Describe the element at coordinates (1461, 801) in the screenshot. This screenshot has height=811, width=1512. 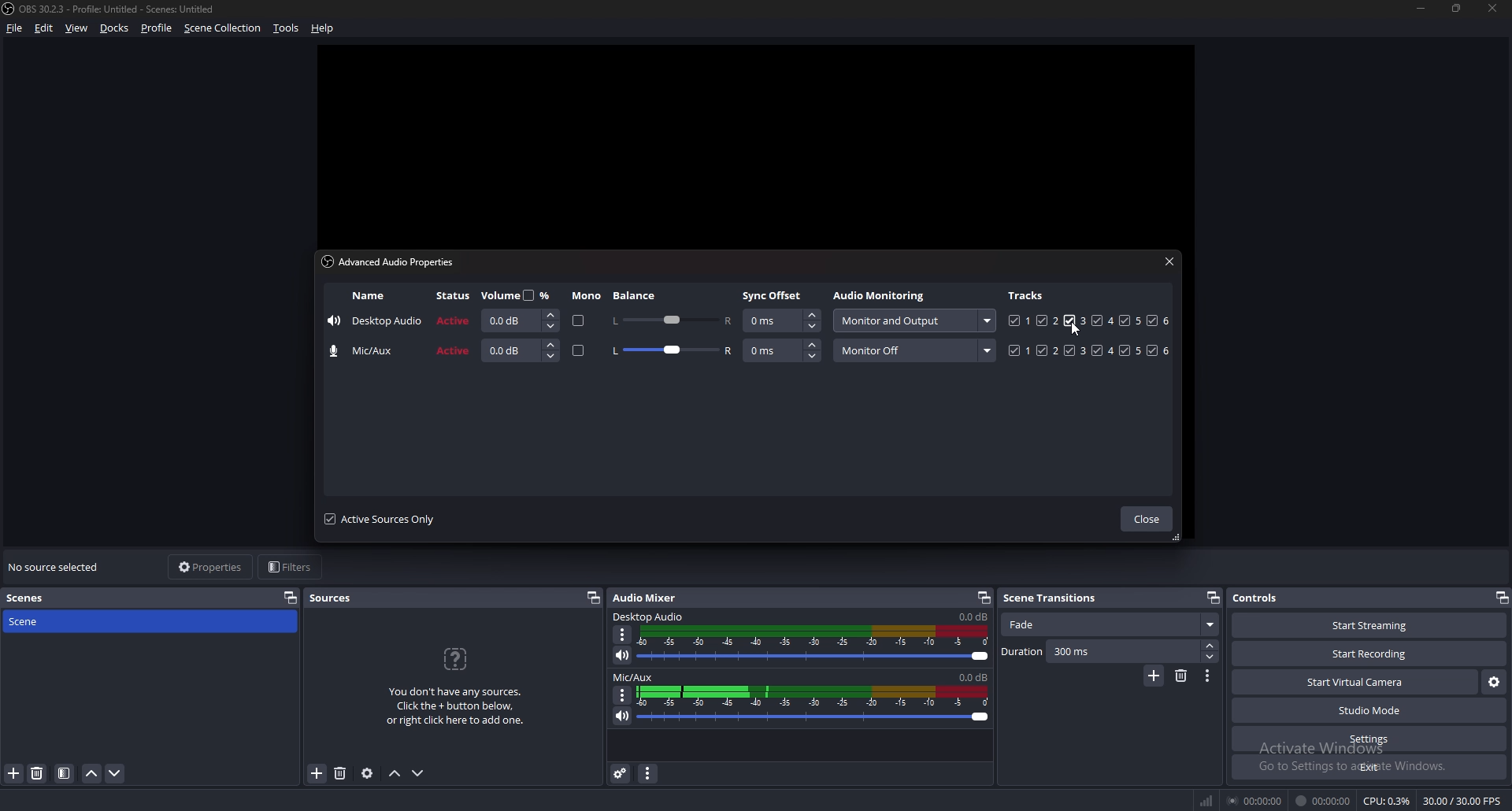
I see `30.00 / 30.00 FPS` at that location.